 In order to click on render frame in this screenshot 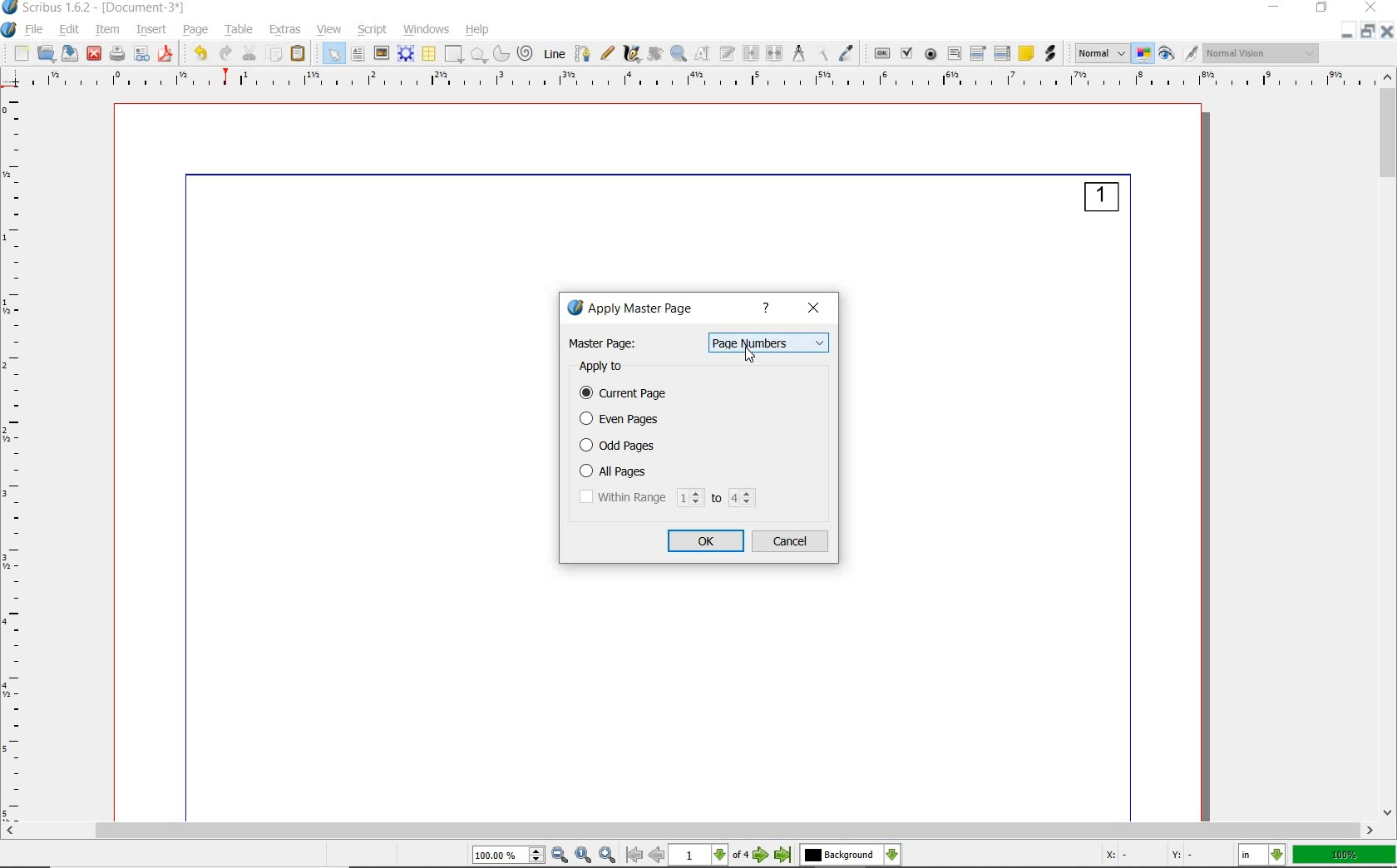, I will do `click(407, 53)`.